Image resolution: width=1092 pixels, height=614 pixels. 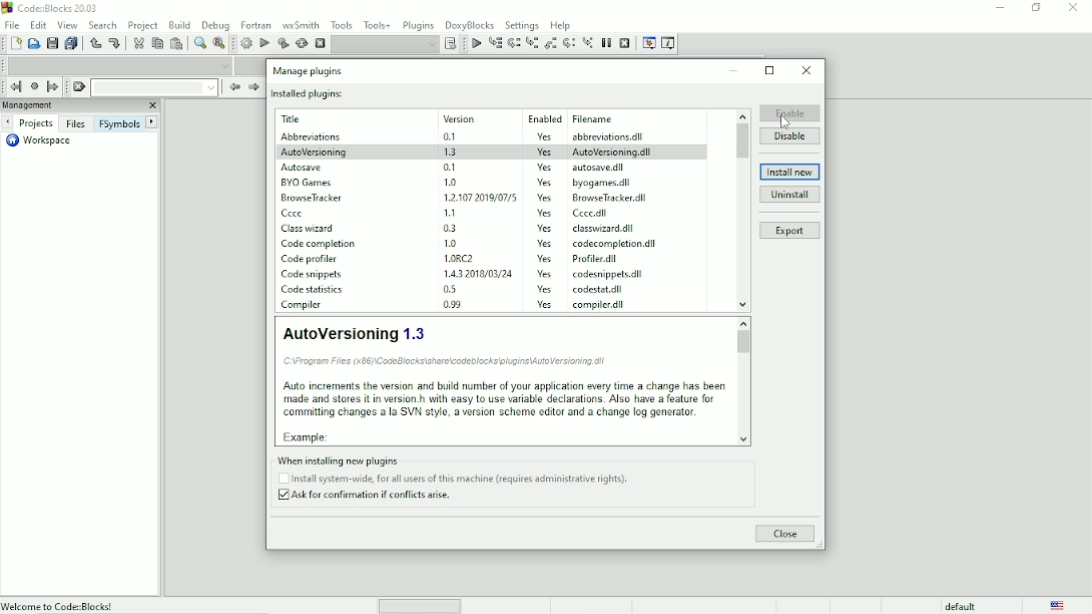 I want to click on scroll down , so click(x=745, y=439).